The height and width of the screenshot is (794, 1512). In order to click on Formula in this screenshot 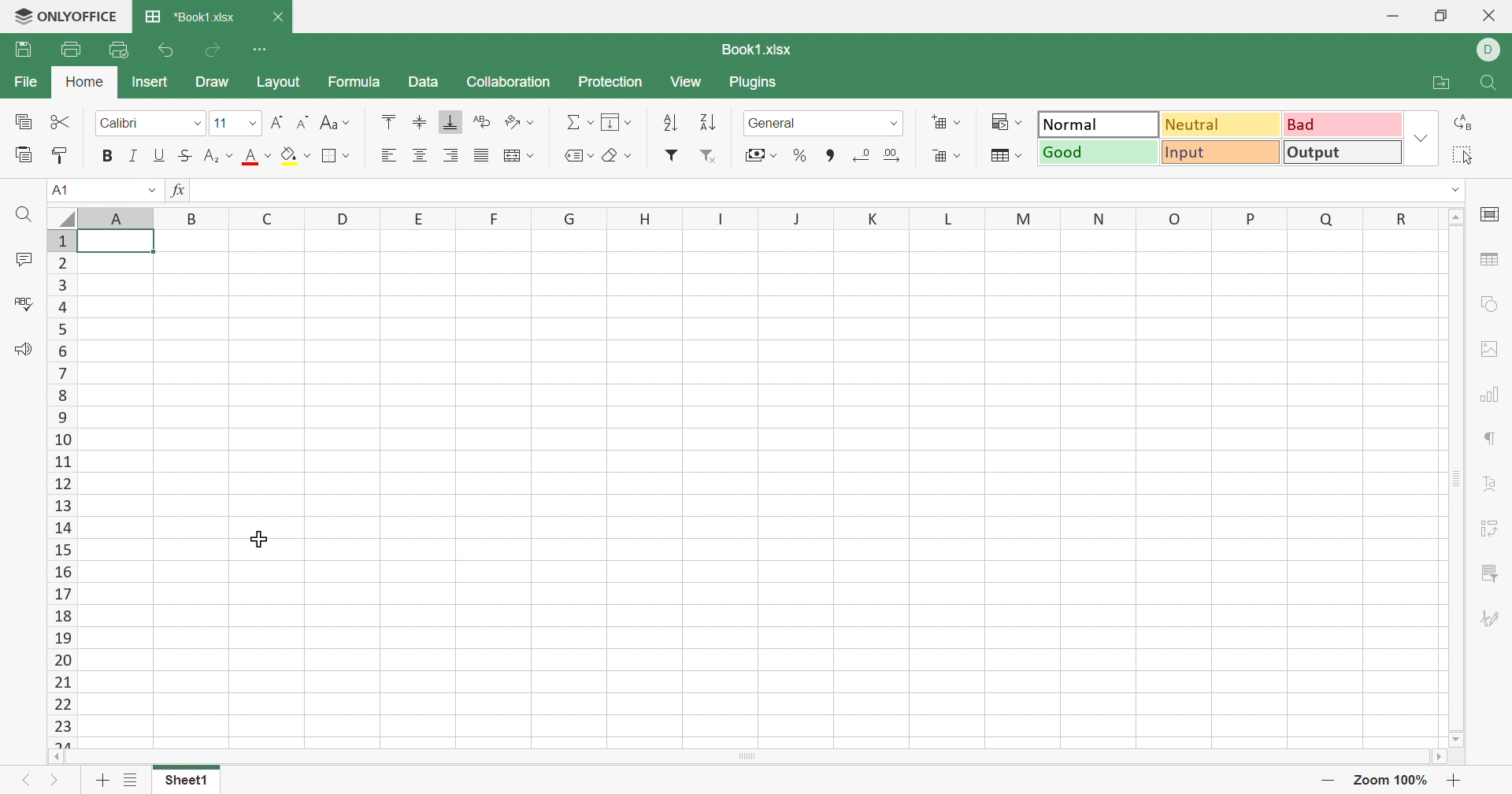, I will do `click(357, 81)`.